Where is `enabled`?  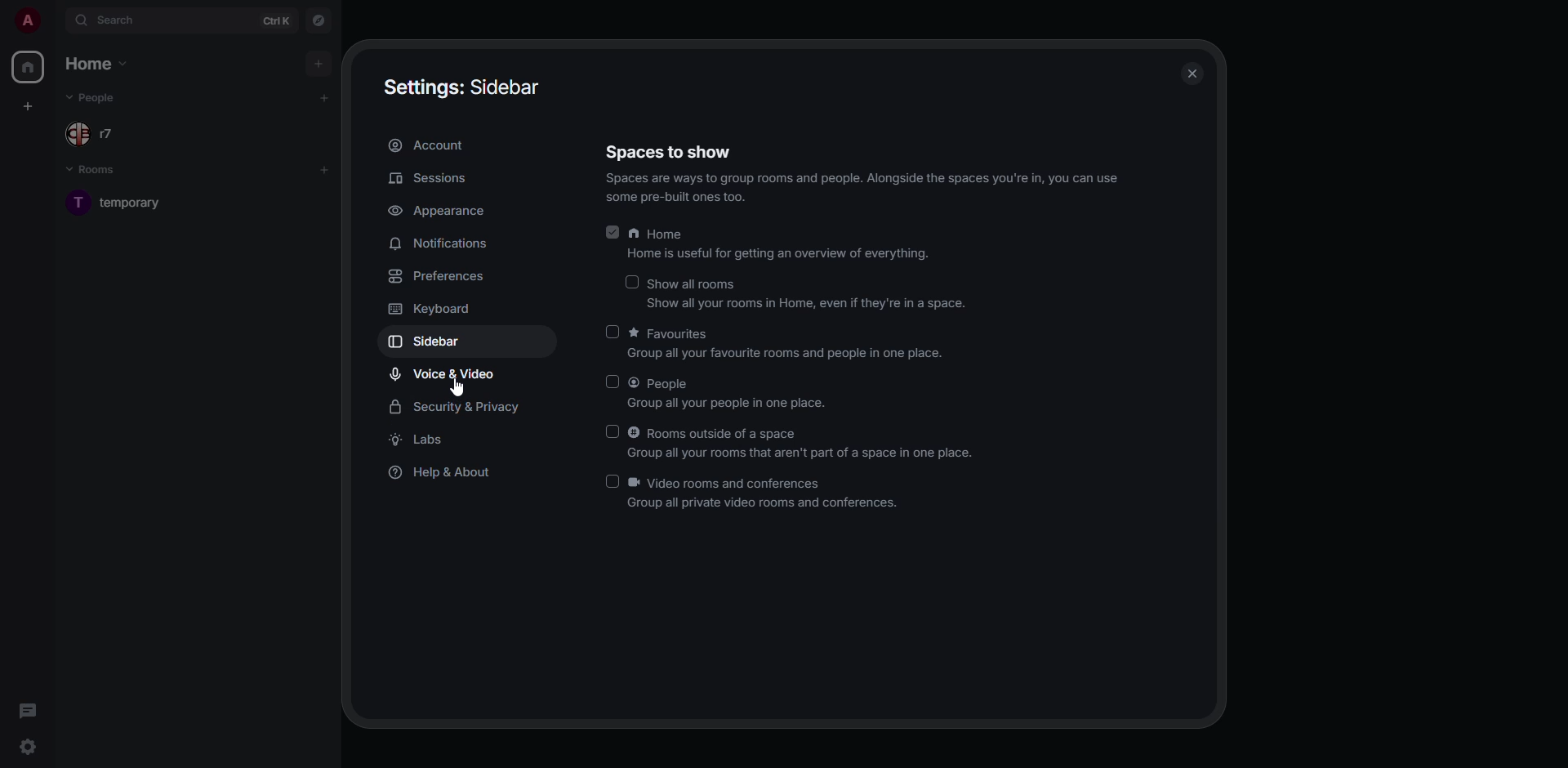 enabled is located at coordinates (612, 232).